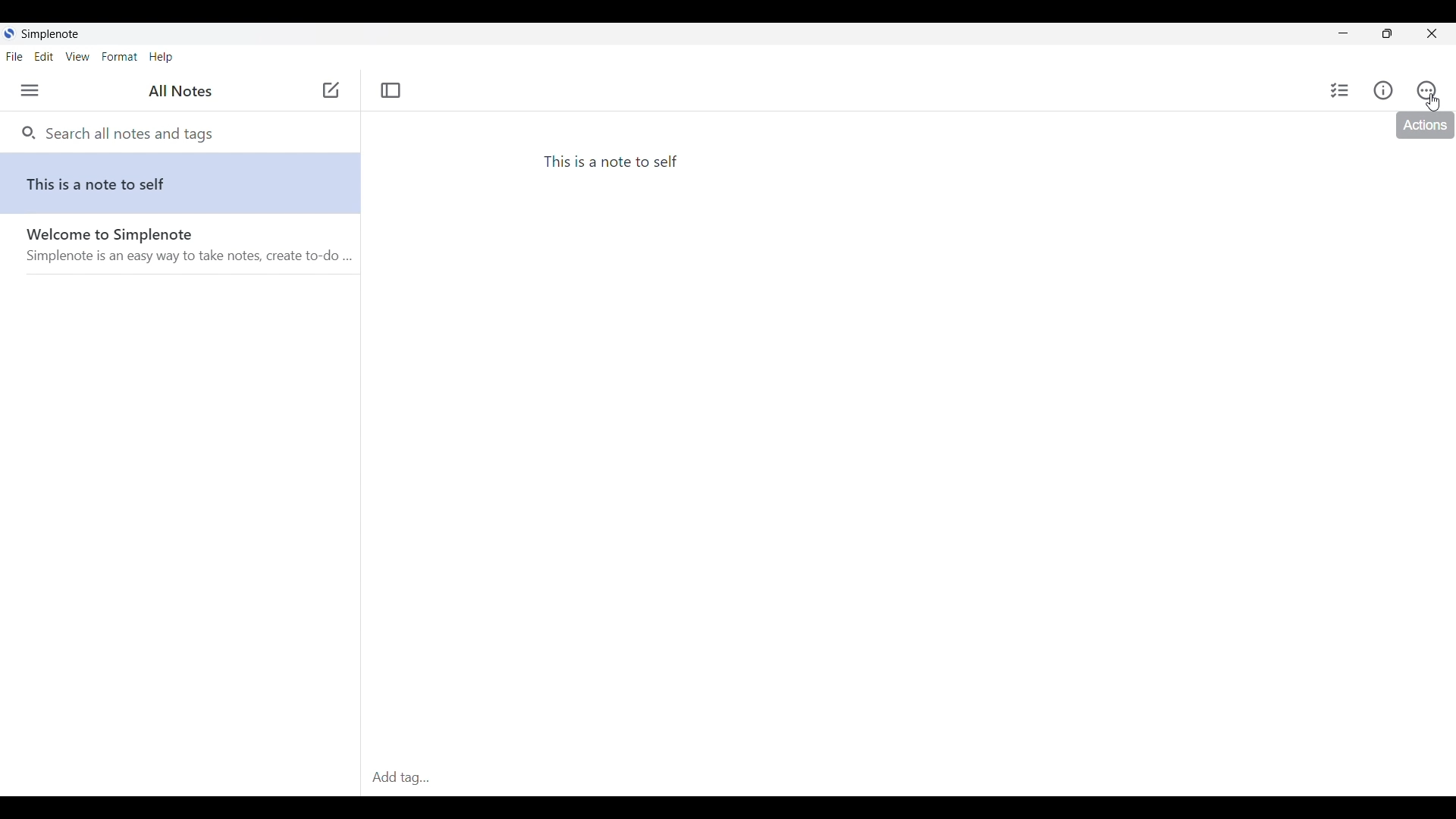 This screenshot has height=819, width=1456. What do you see at coordinates (1344, 33) in the screenshot?
I see `Minimize` at bounding box center [1344, 33].